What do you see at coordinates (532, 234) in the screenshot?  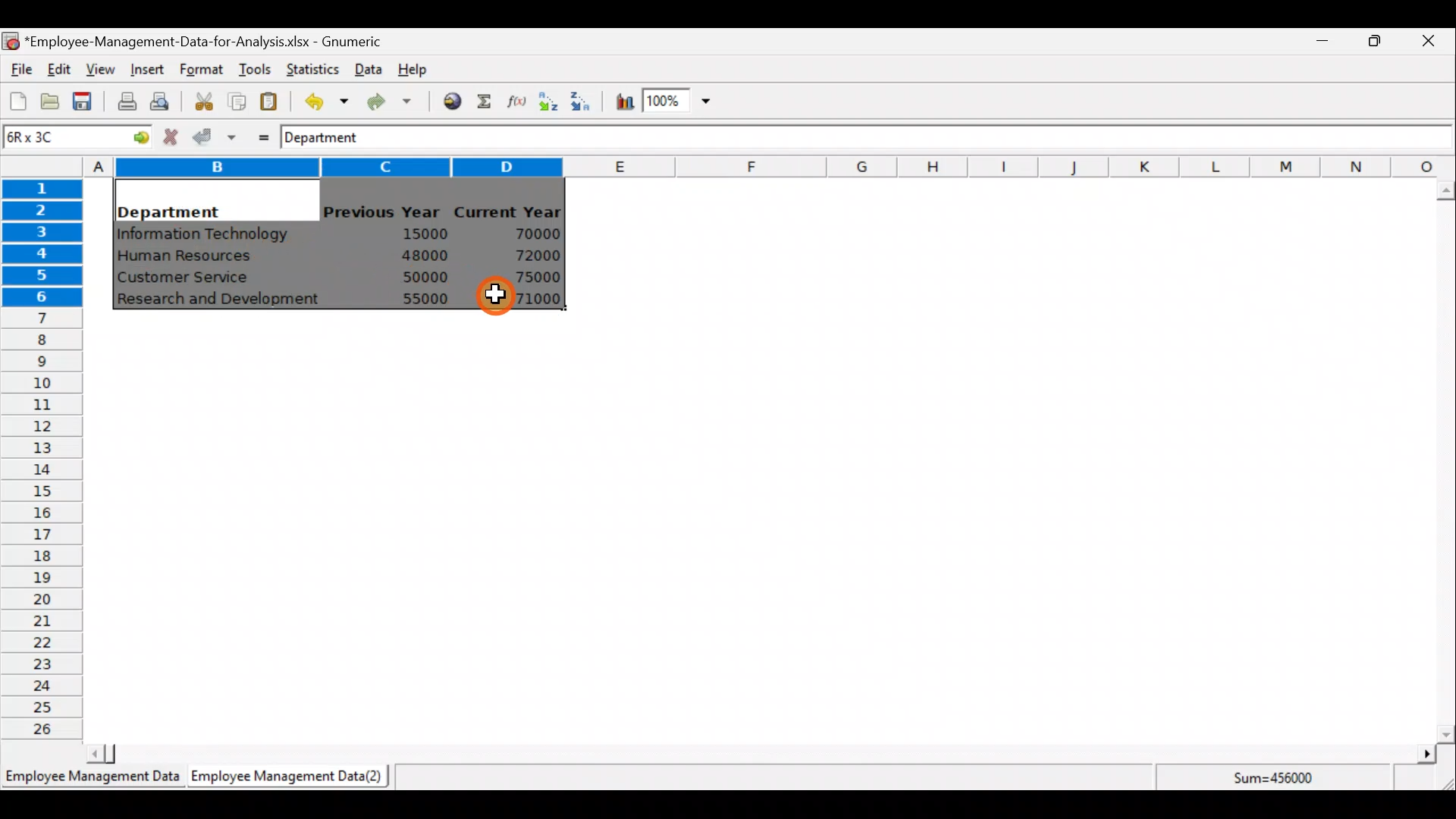 I see `70000` at bounding box center [532, 234].